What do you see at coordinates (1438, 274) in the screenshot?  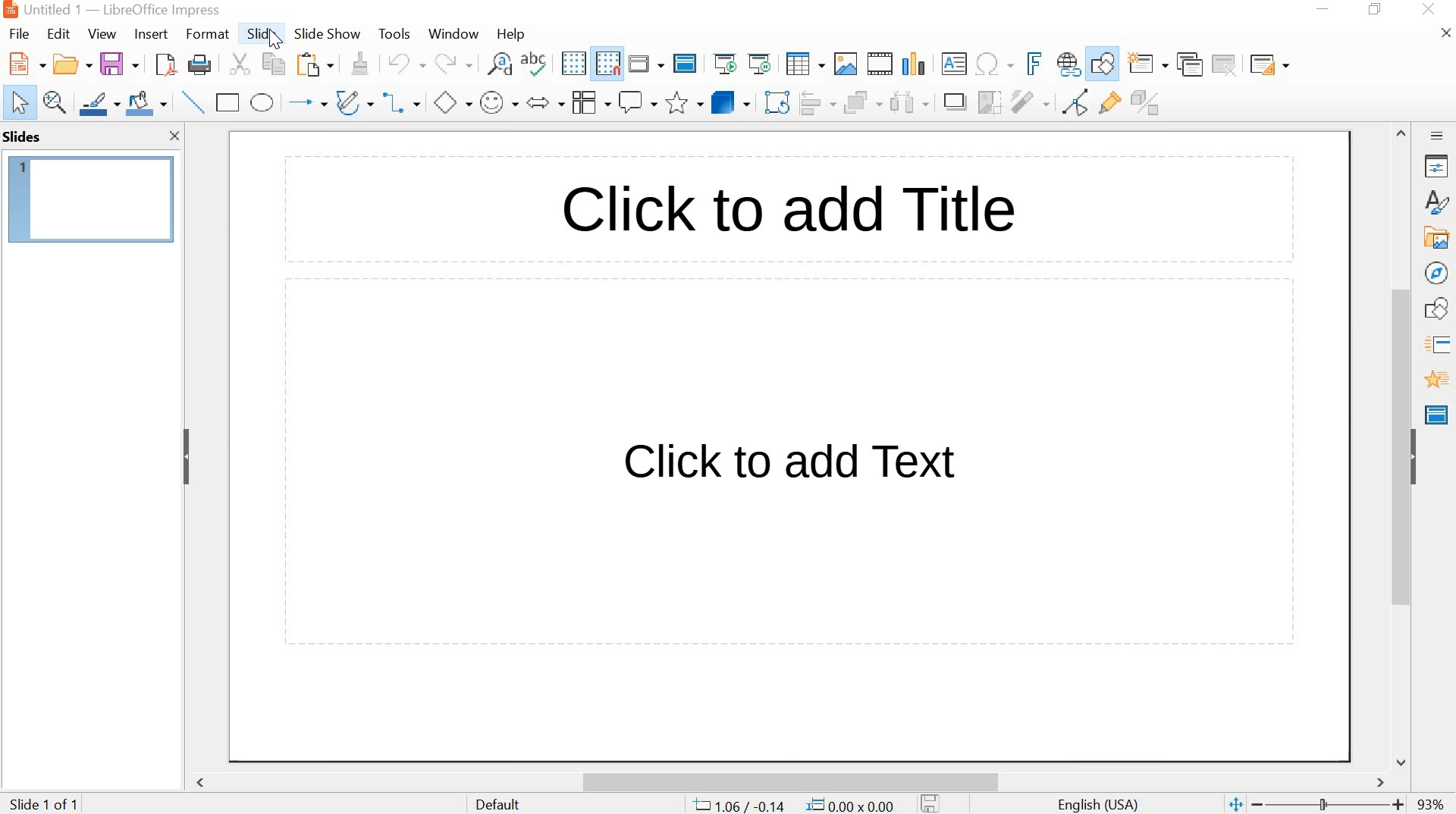 I see `NAVIGATOR` at bounding box center [1438, 274].